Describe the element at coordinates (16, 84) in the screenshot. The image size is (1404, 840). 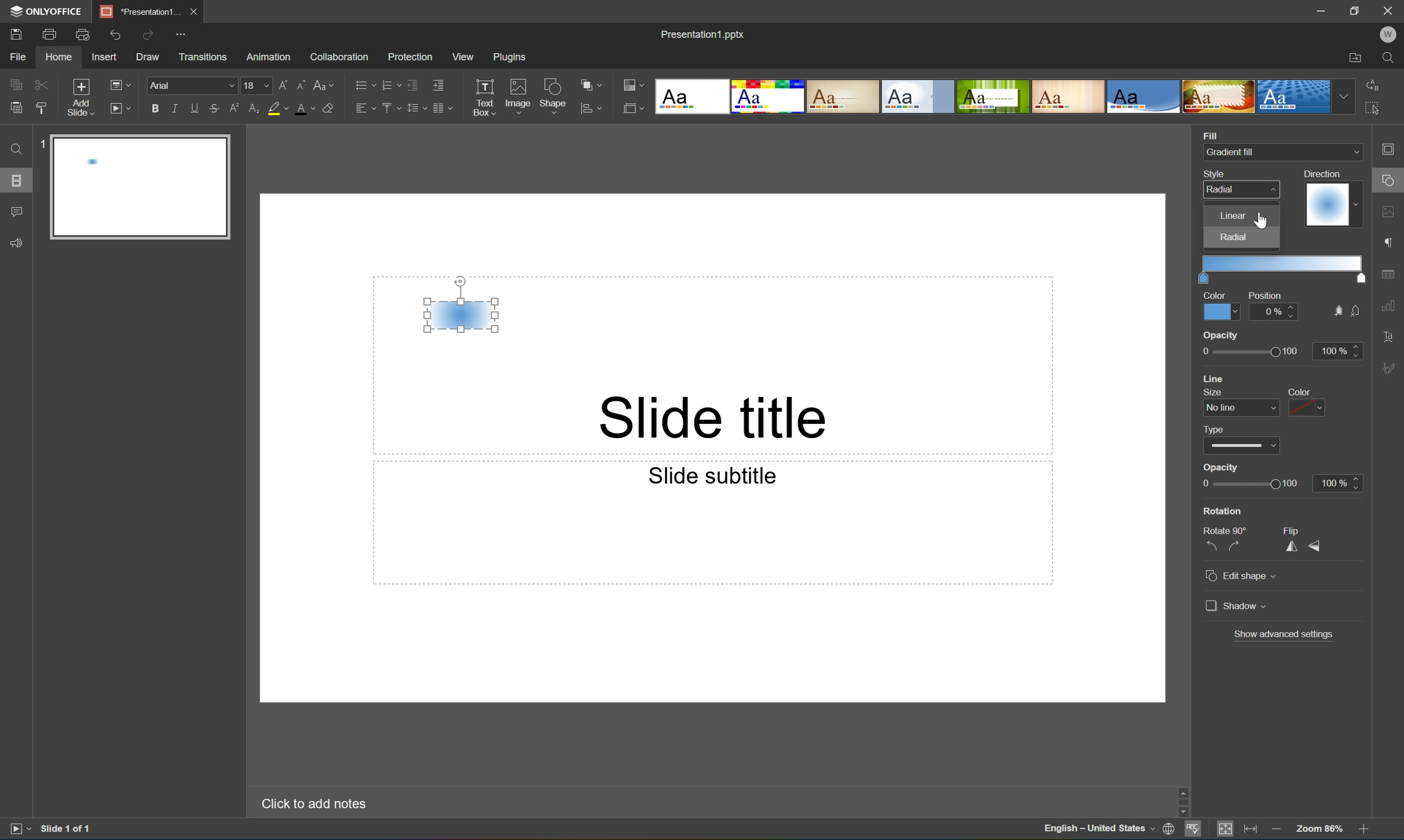
I see `Copy` at that location.